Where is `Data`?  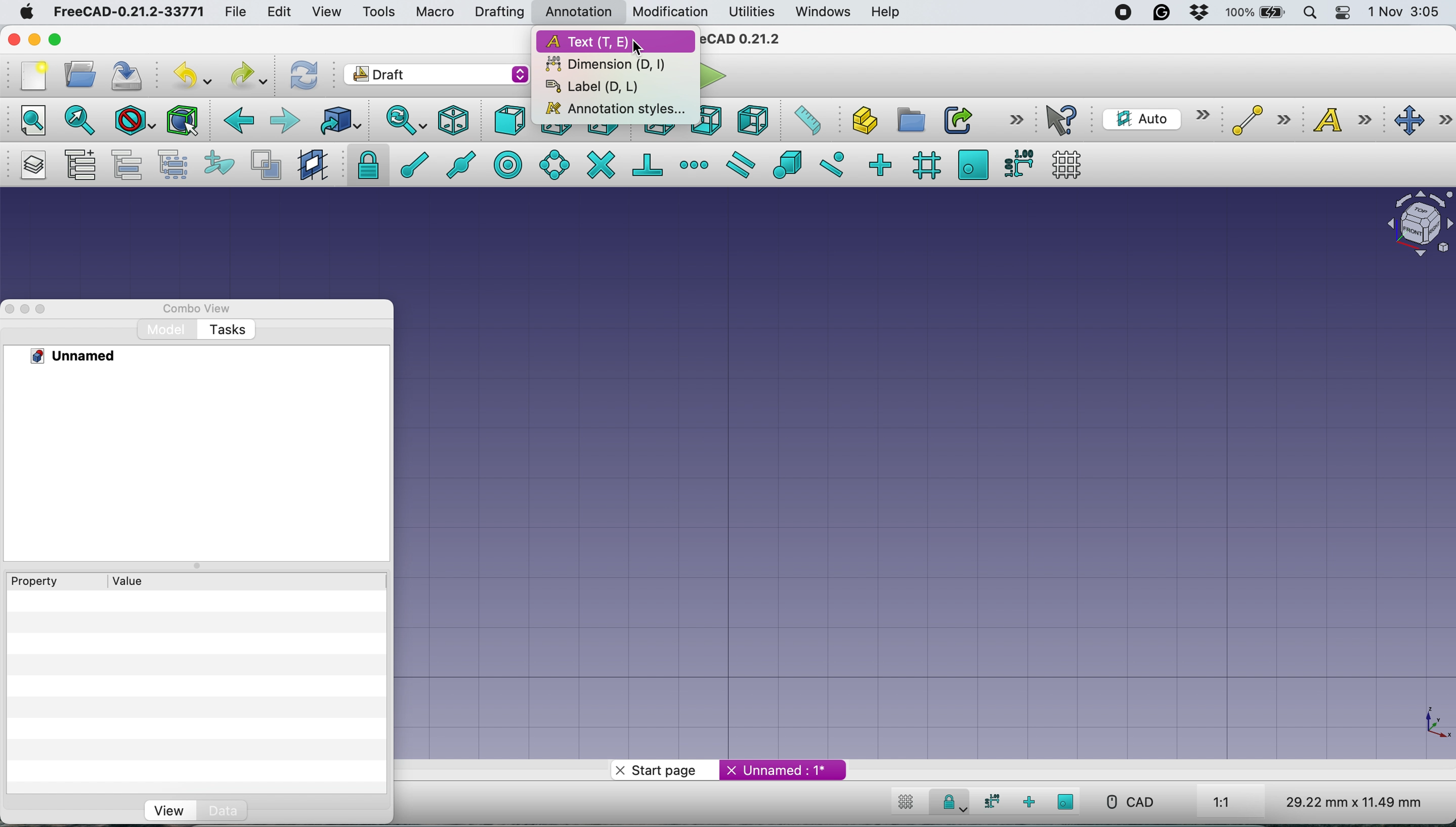
Data is located at coordinates (222, 811).